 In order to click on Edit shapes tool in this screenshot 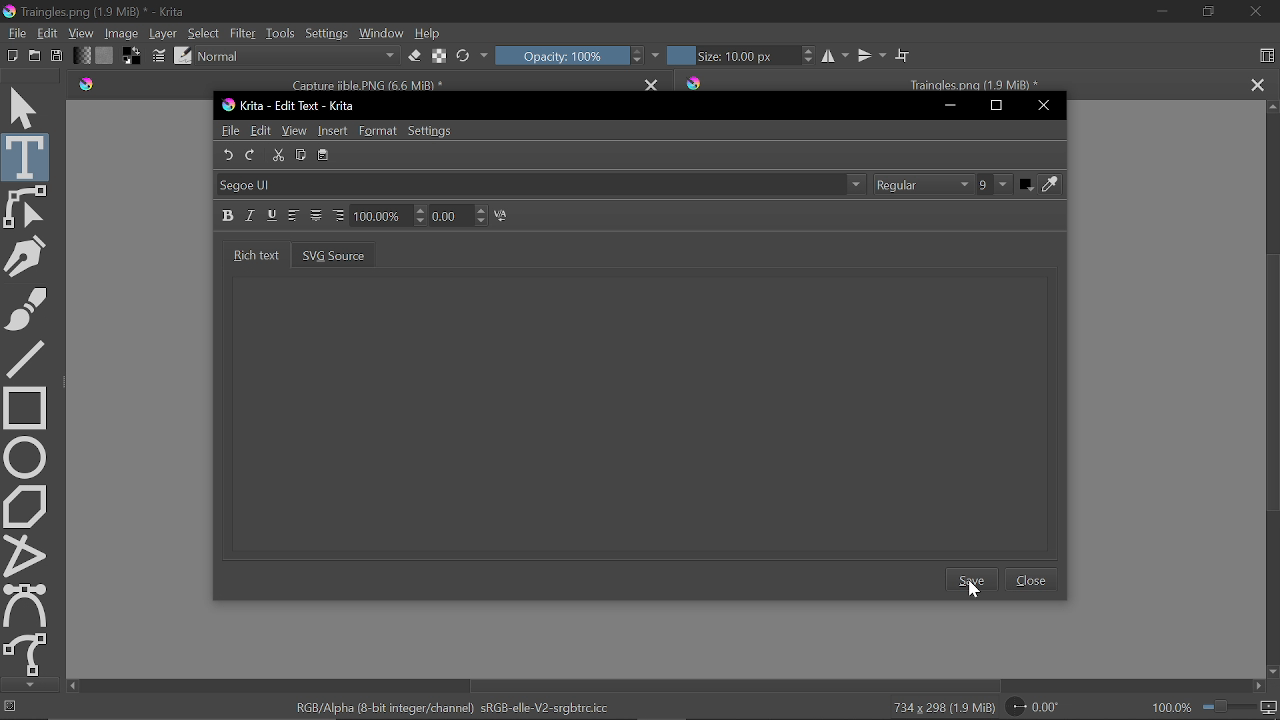, I will do `click(29, 207)`.